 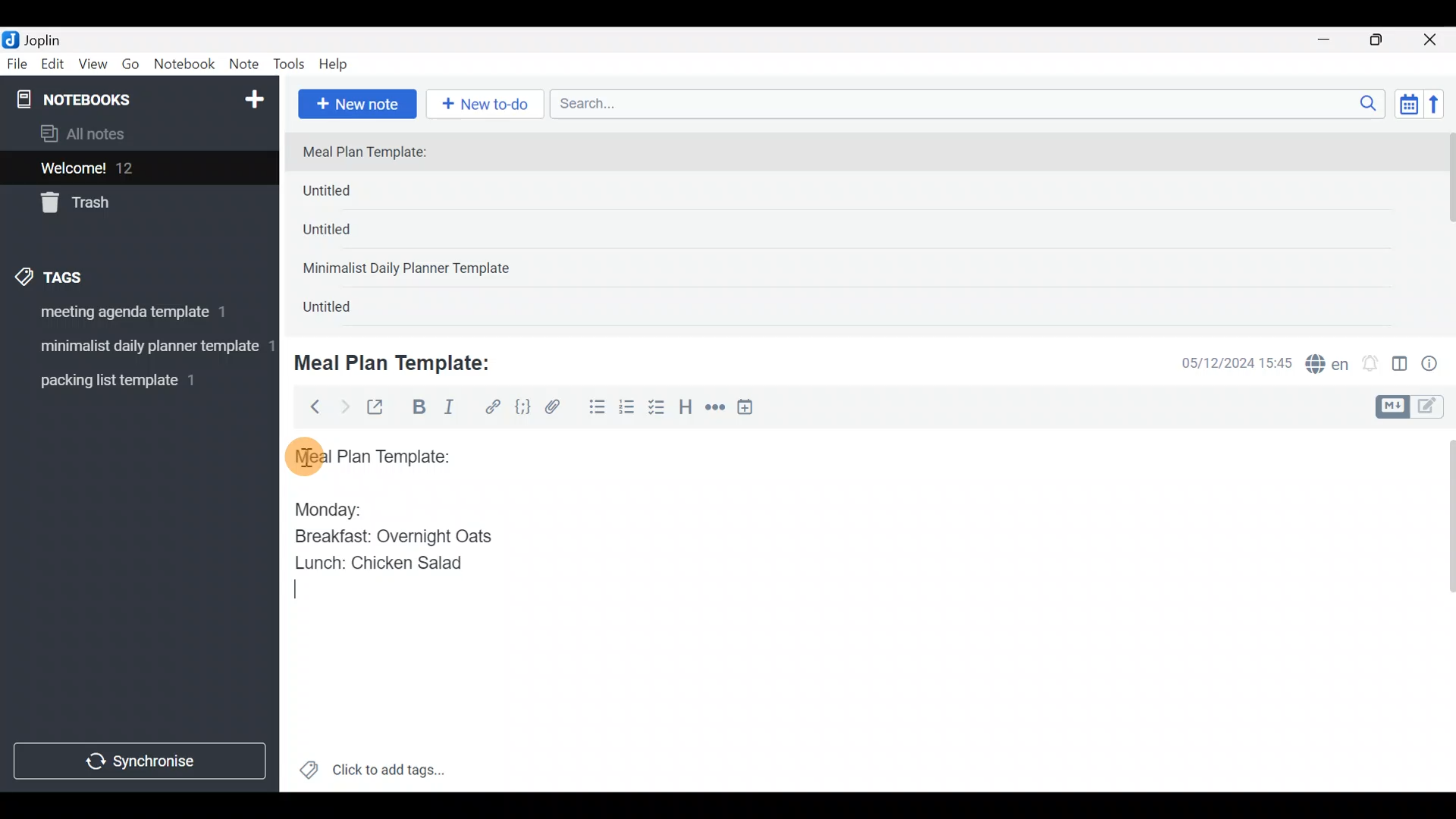 I want to click on Meal Plan Template:, so click(x=374, y=153).